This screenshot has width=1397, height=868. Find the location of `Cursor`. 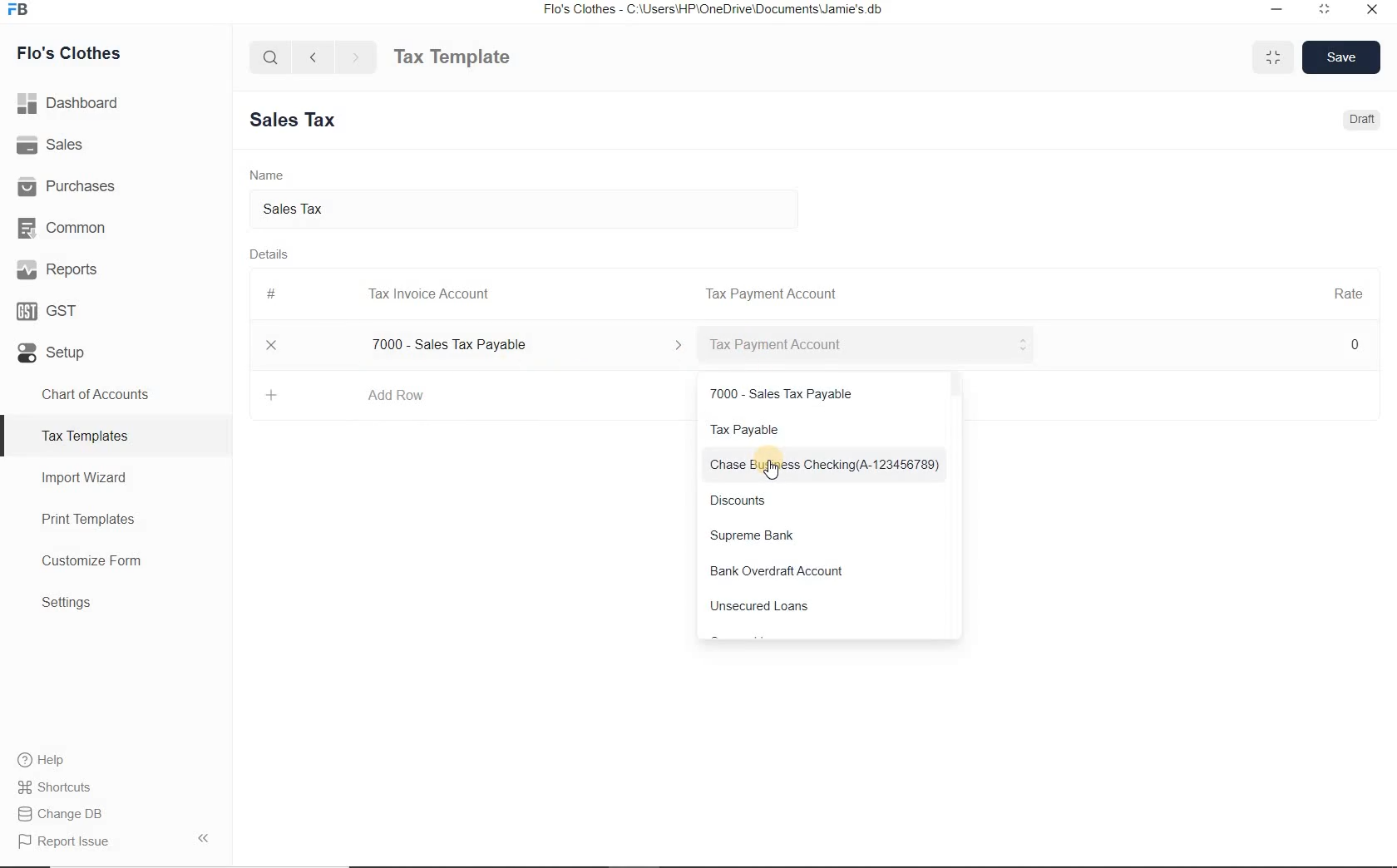

Cursor is located at coordinates (773, 471).